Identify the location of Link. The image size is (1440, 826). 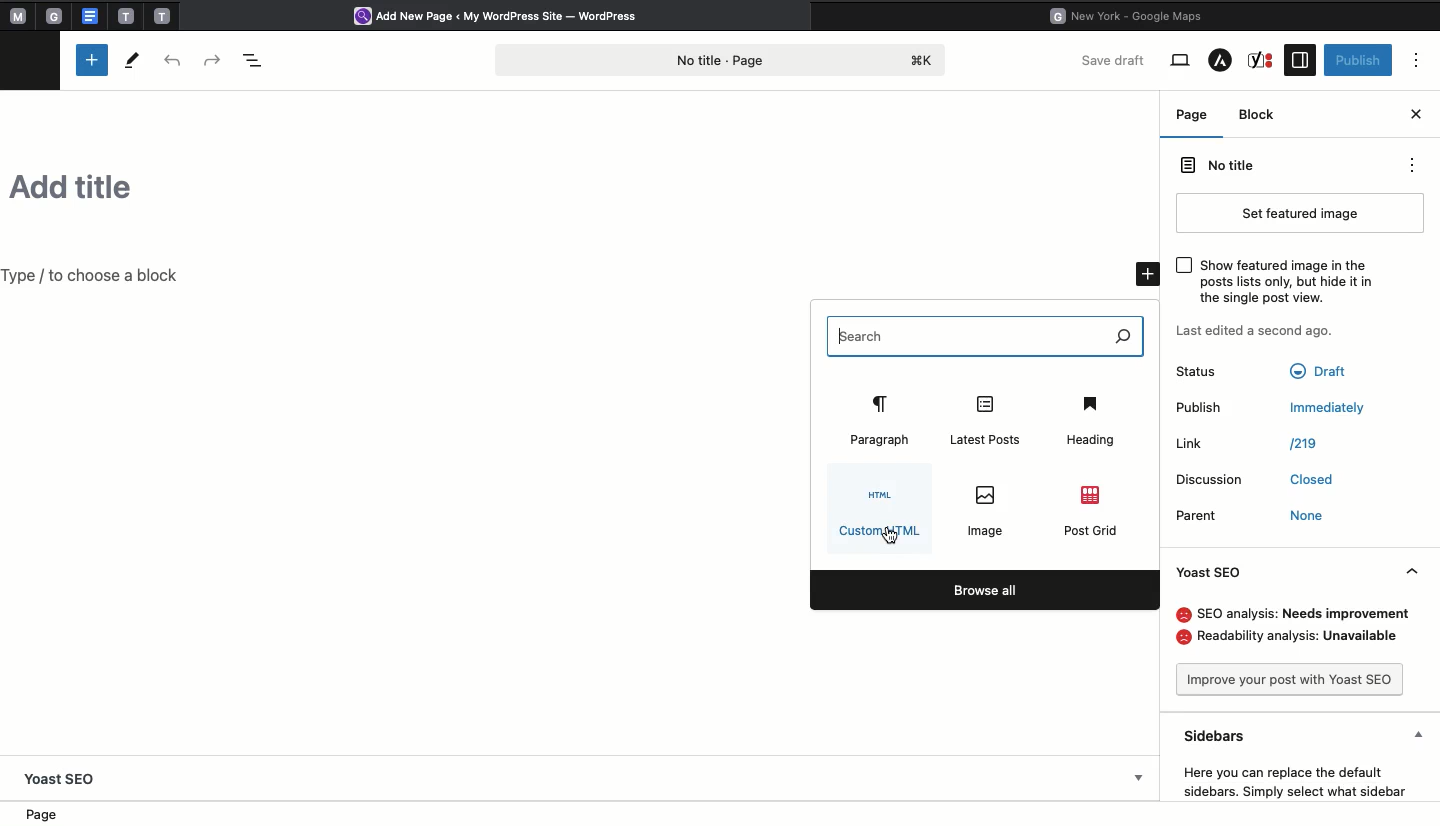
(1247, 446).